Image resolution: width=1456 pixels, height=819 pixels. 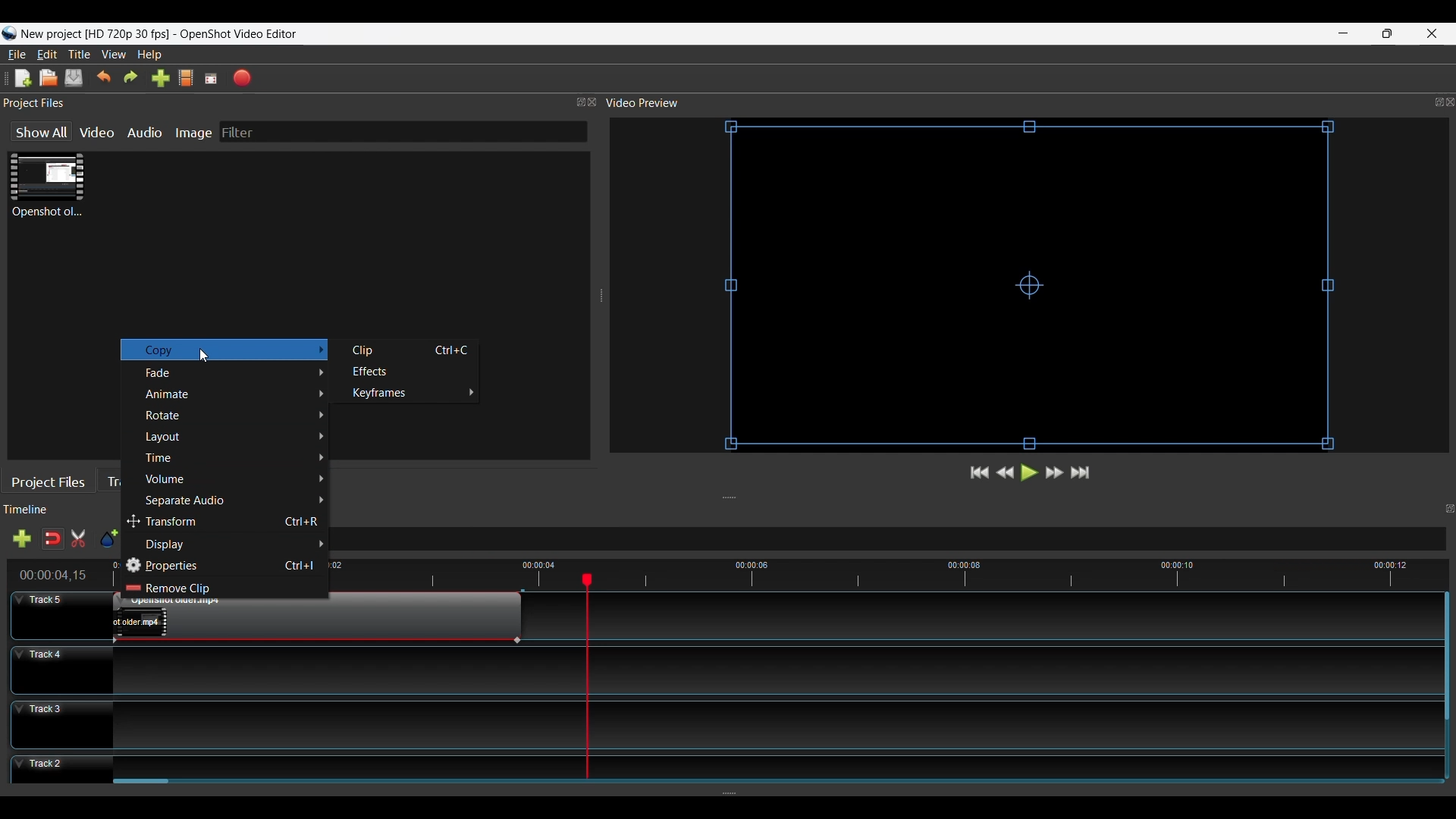 I want to click on Import Files, so click(x=160, y=80).